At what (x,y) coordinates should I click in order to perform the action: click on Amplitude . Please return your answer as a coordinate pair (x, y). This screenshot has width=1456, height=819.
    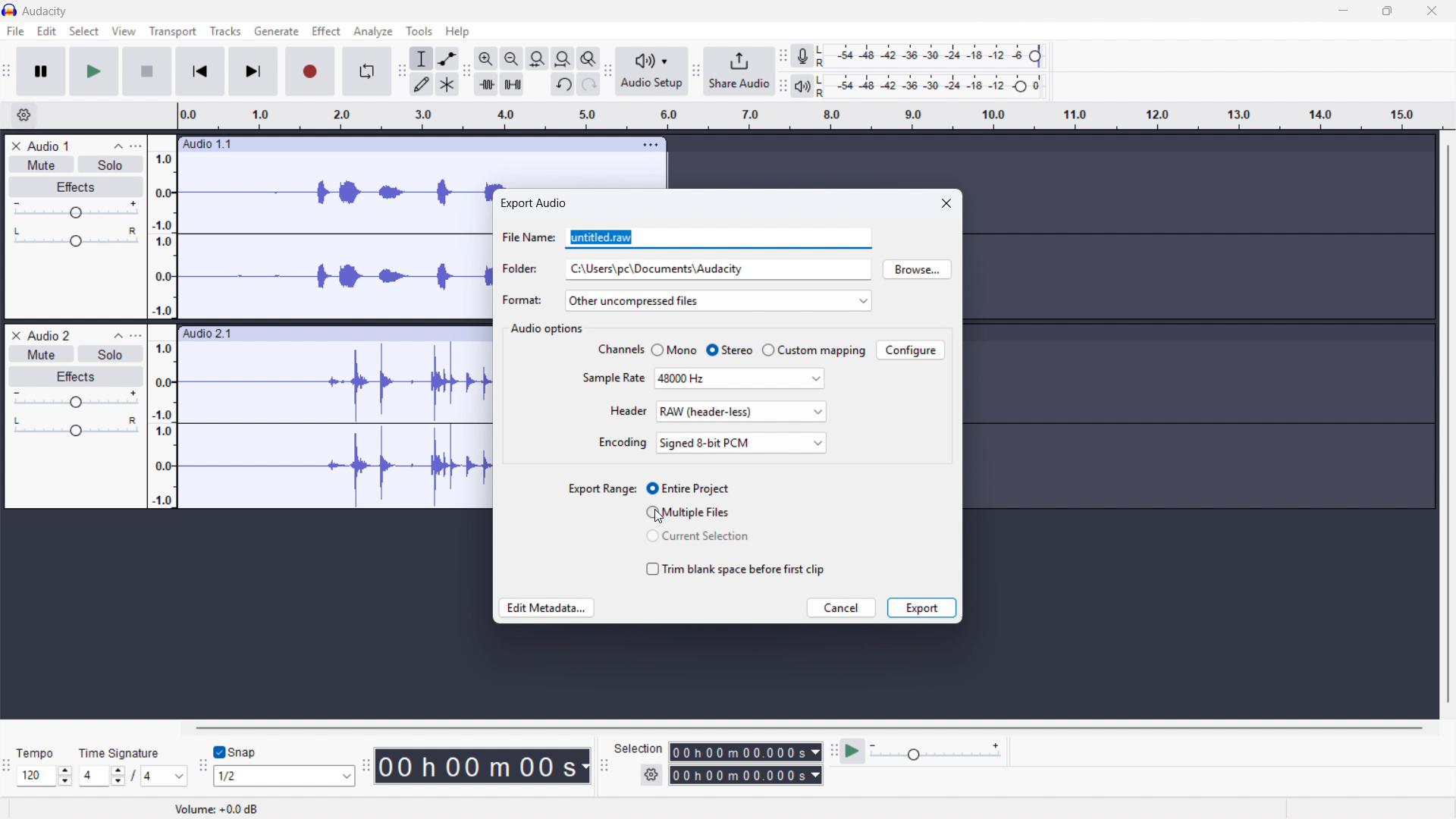
    Looking at the image, I should click on (162, 322).